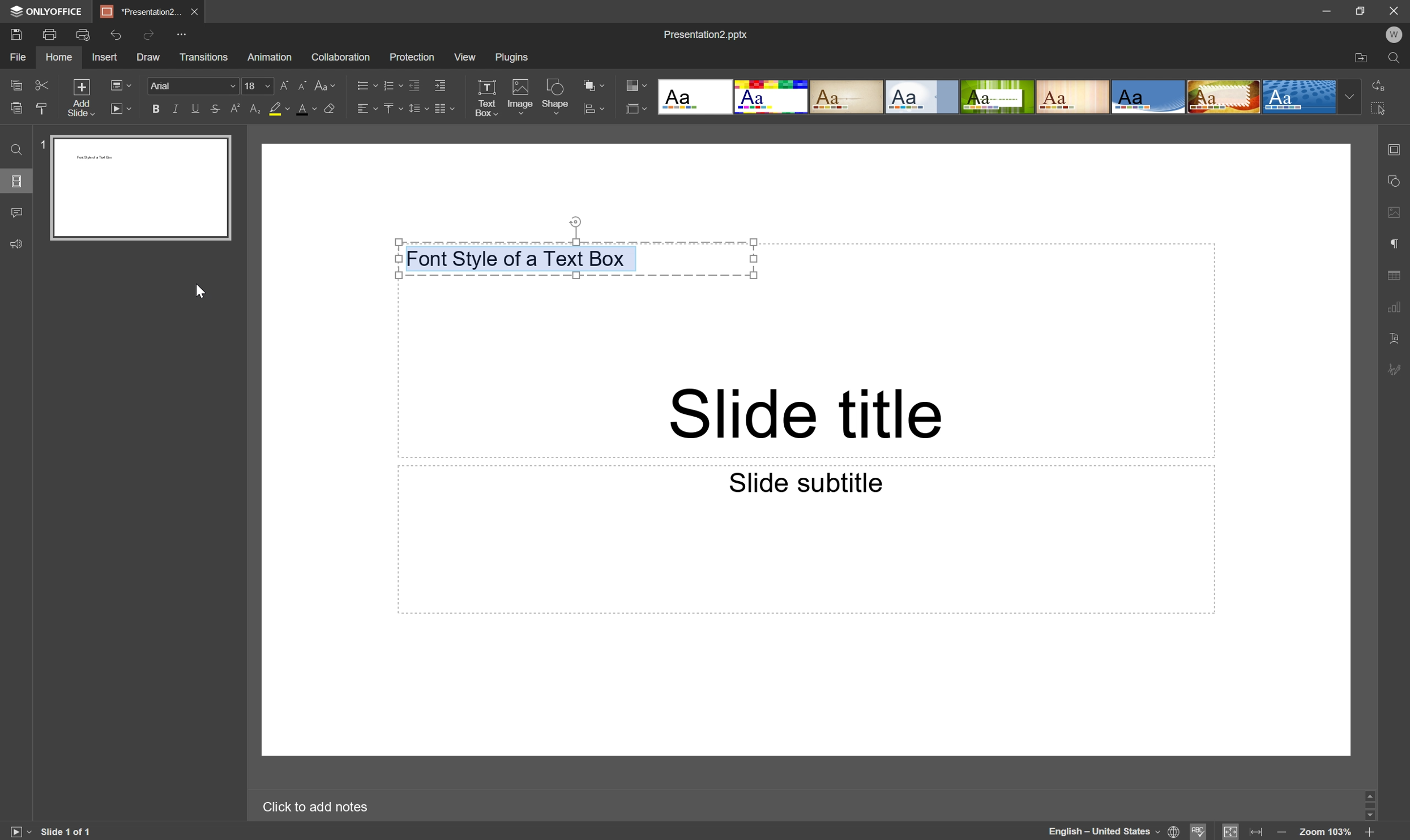  What do you see at coordinates (1006, 97) in the screenshot?
I see `Type of slides` at bounding box center [1006, 97].